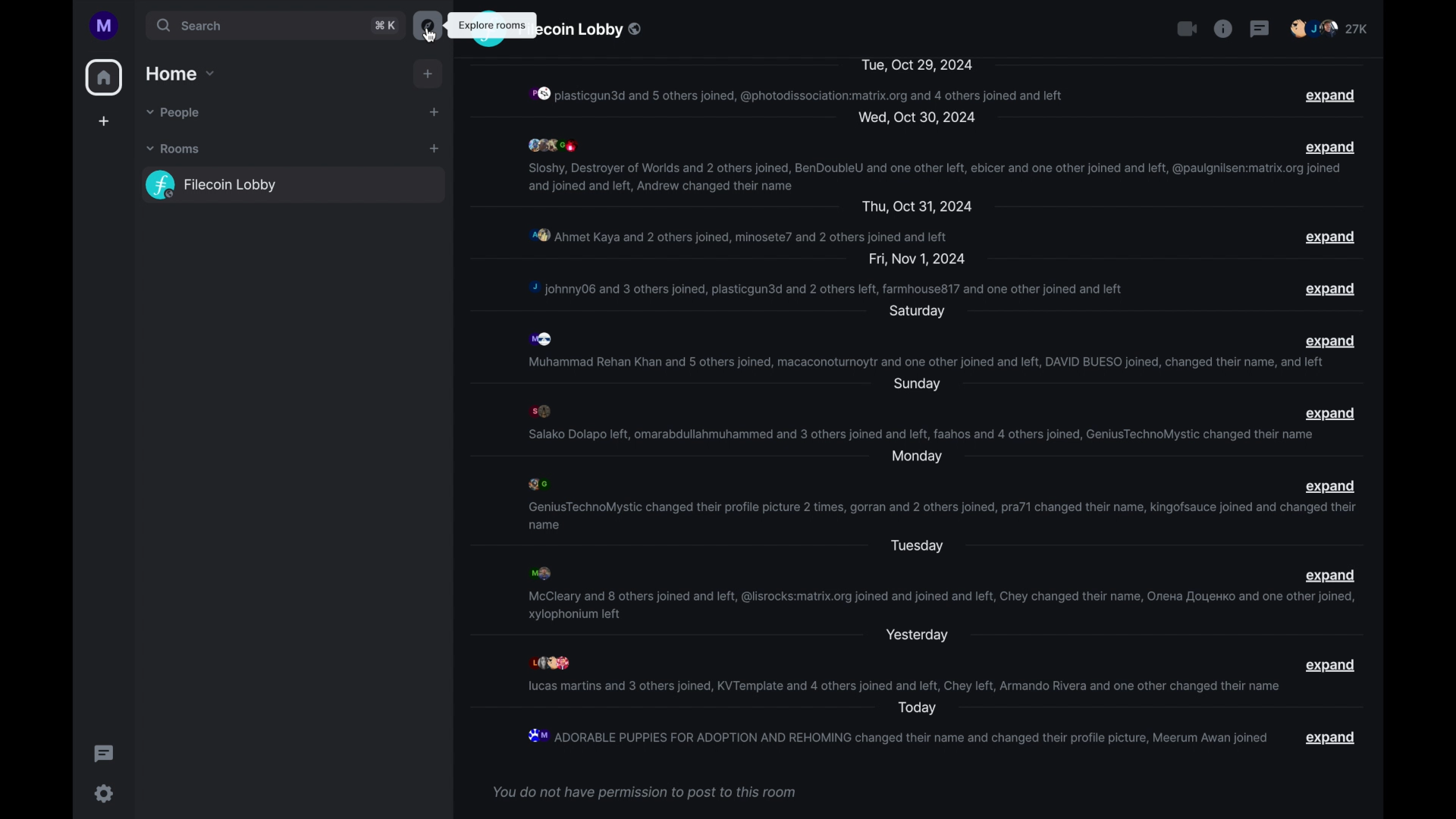 This screenshot has width=1456, height=819. Describe the element at coordinates (1331, 486) in the screenshot. I see `expand` at that location.